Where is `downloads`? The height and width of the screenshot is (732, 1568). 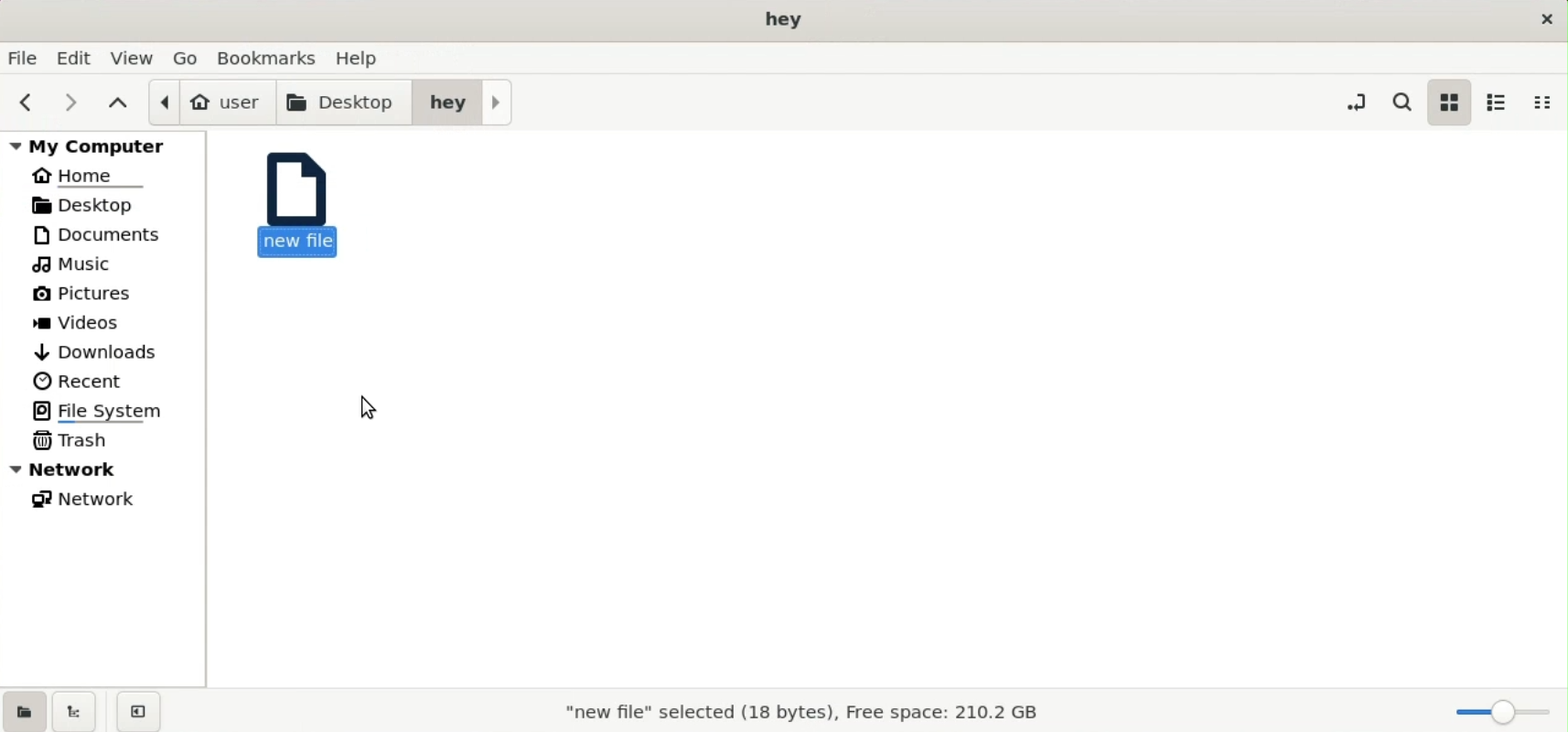
downloads is located at coordinates (98, 350).